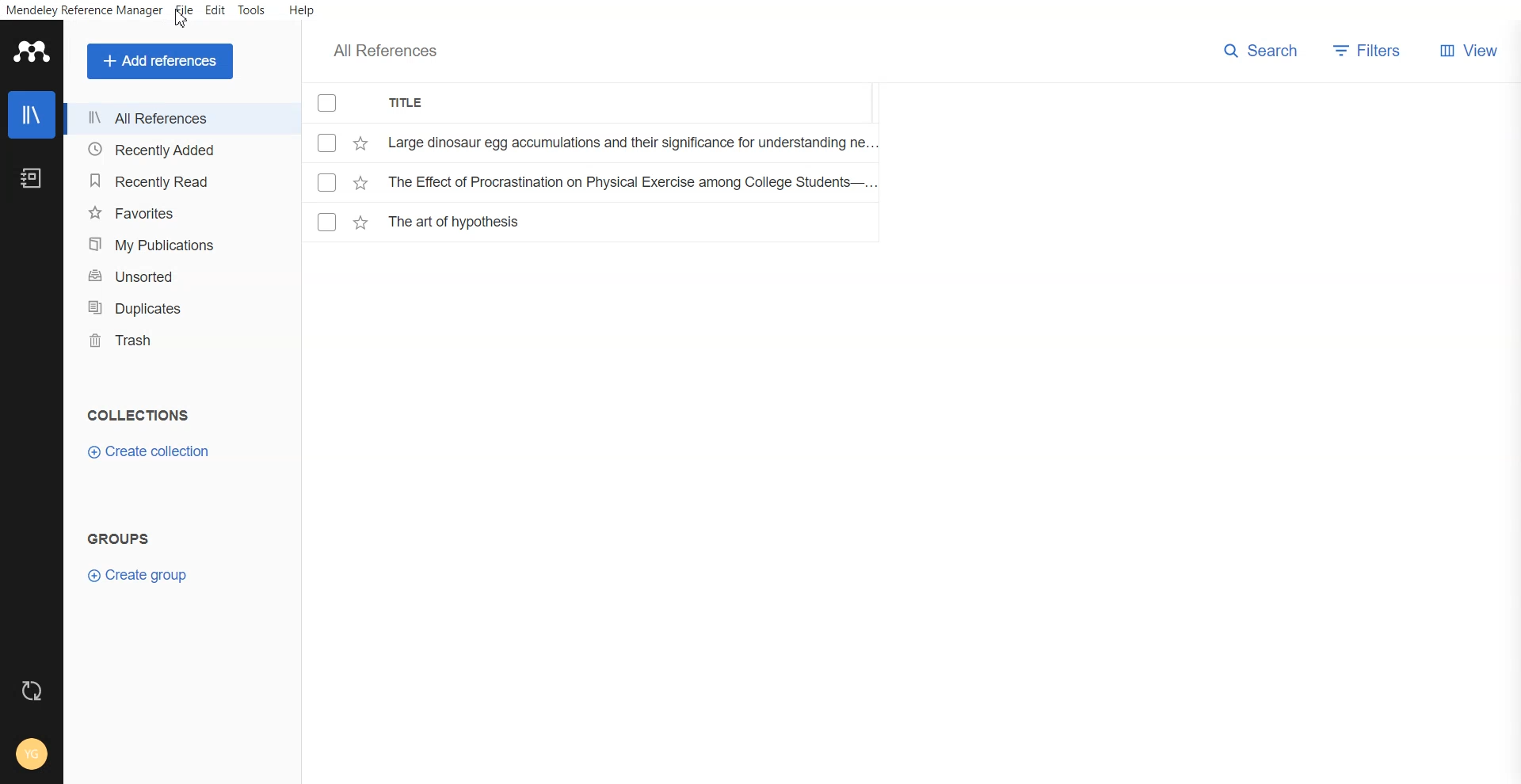  Describe the element at coordinates (594, 142) in the screenshot. I see `File` at that location.